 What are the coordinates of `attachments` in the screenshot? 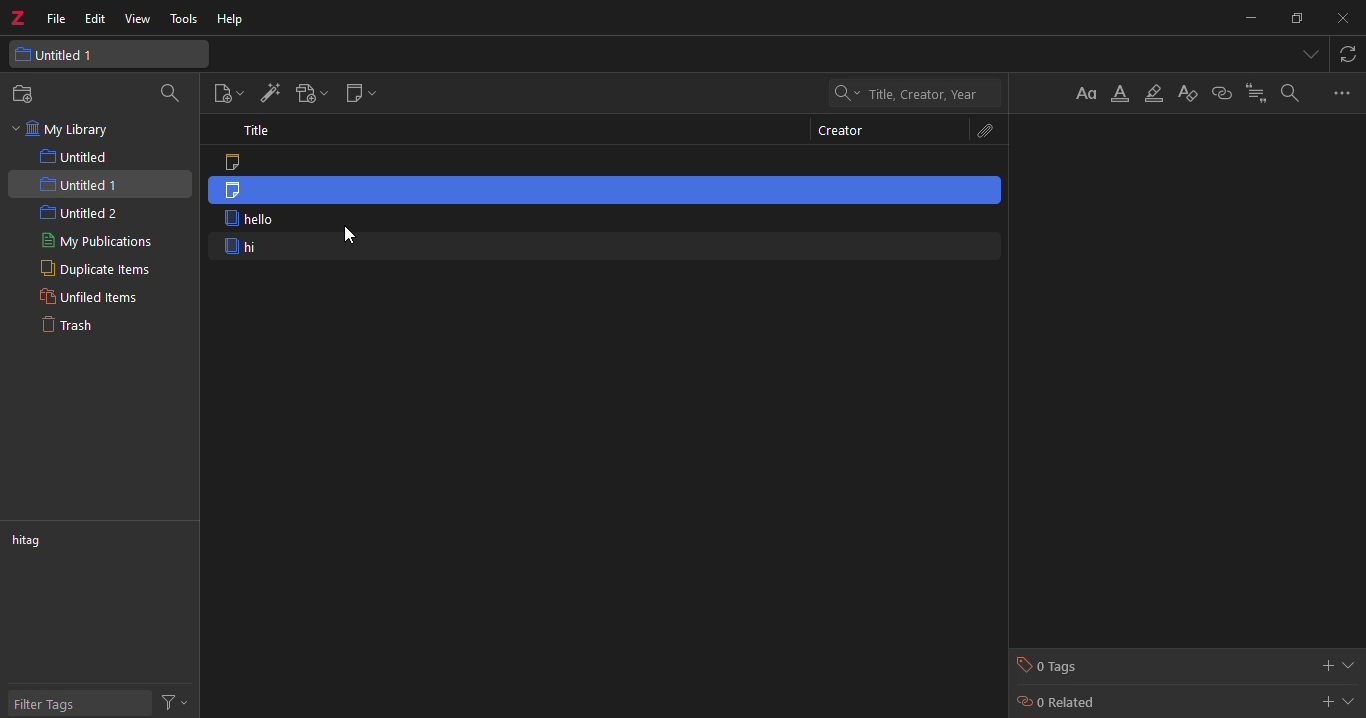 It's located at (984, 130).